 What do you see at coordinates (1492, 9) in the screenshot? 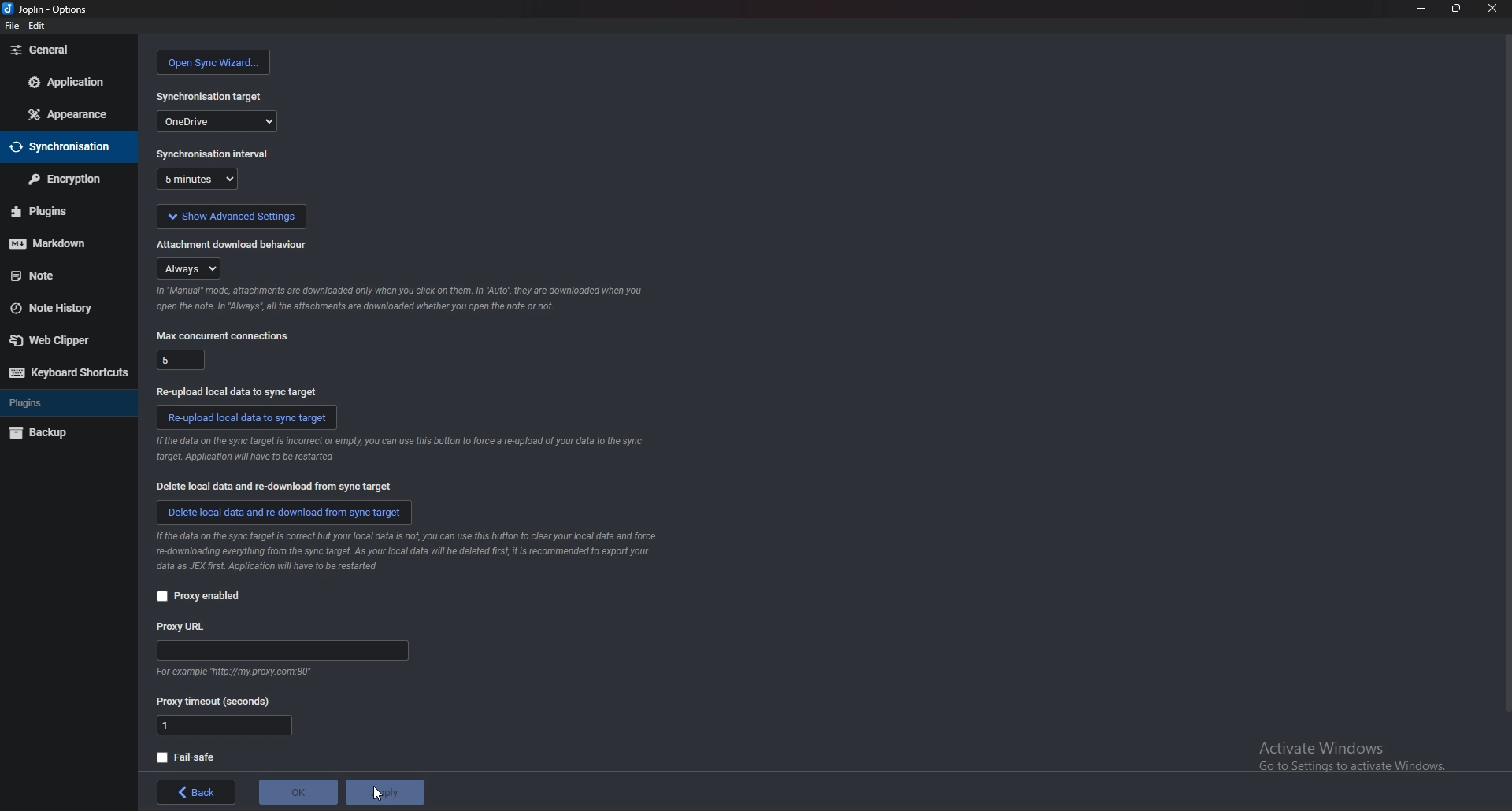
I see `close` at bounding box center [1492, 9].